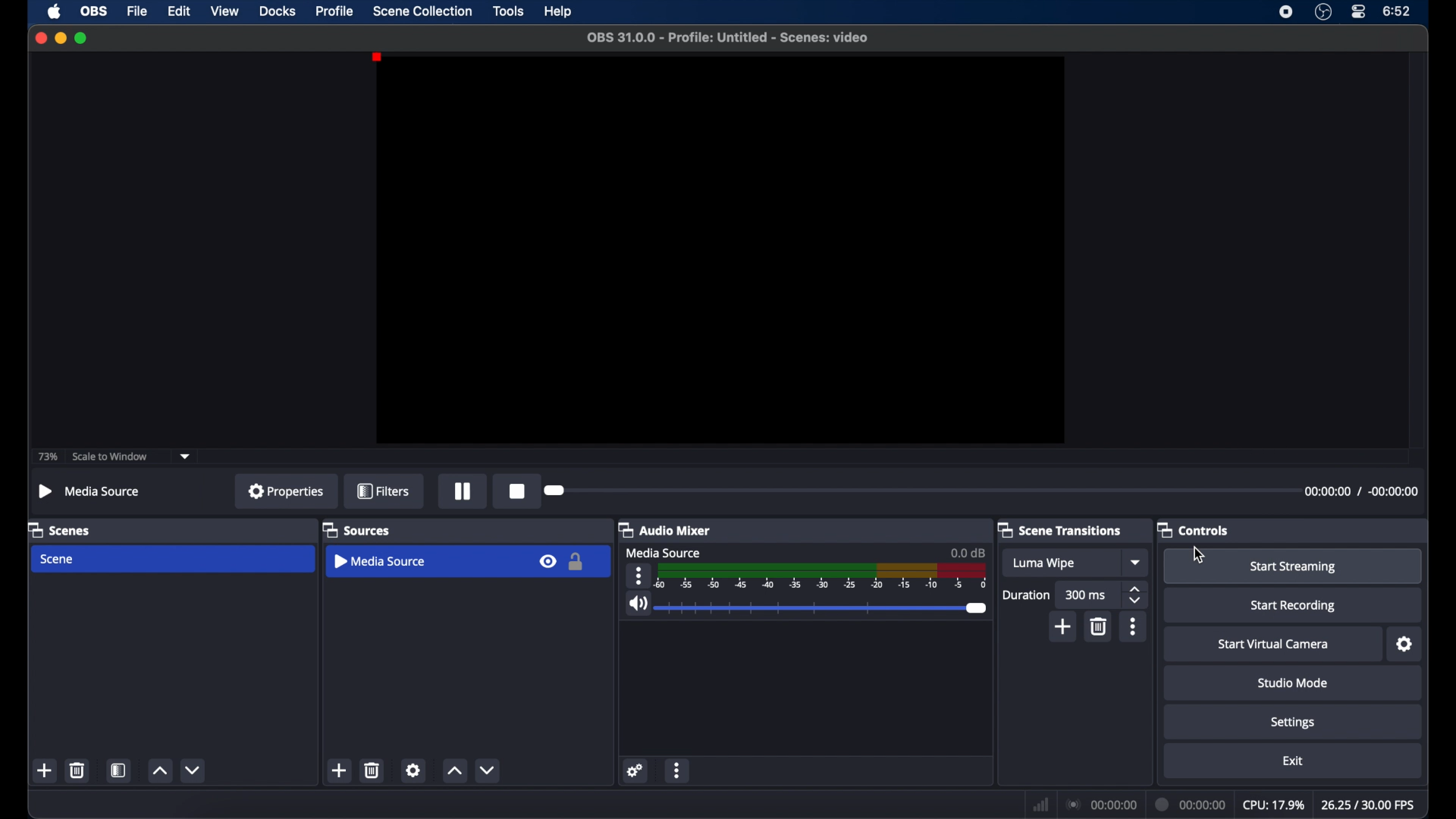  What do you see at coordinates (968, 552) in the screenshot?
I see `0.0` at bounding box center [968, 552].